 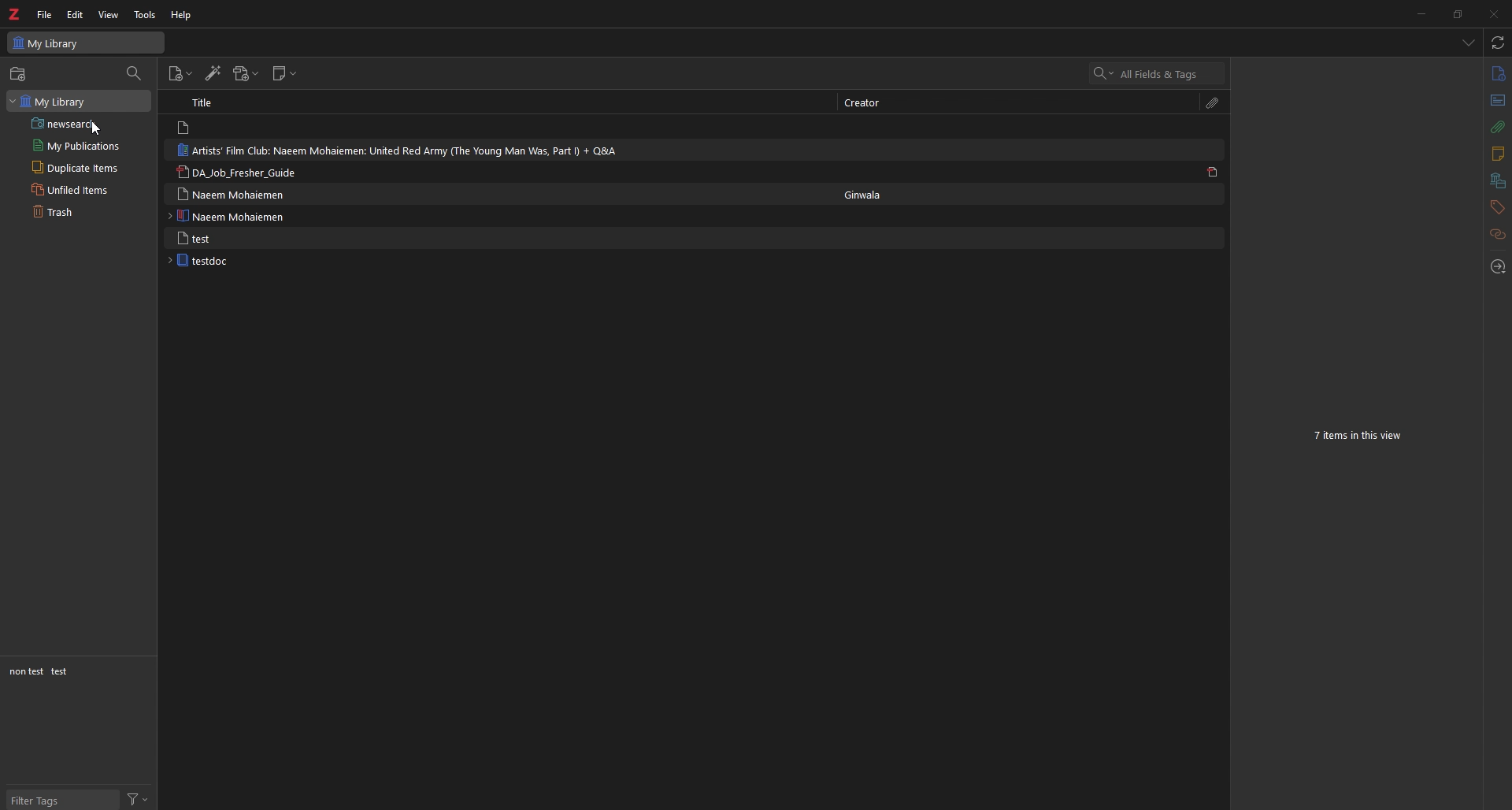 What do you see at coordinates (109, 14) in the screenshot?
I see `View` at bounding box center [109, 14].